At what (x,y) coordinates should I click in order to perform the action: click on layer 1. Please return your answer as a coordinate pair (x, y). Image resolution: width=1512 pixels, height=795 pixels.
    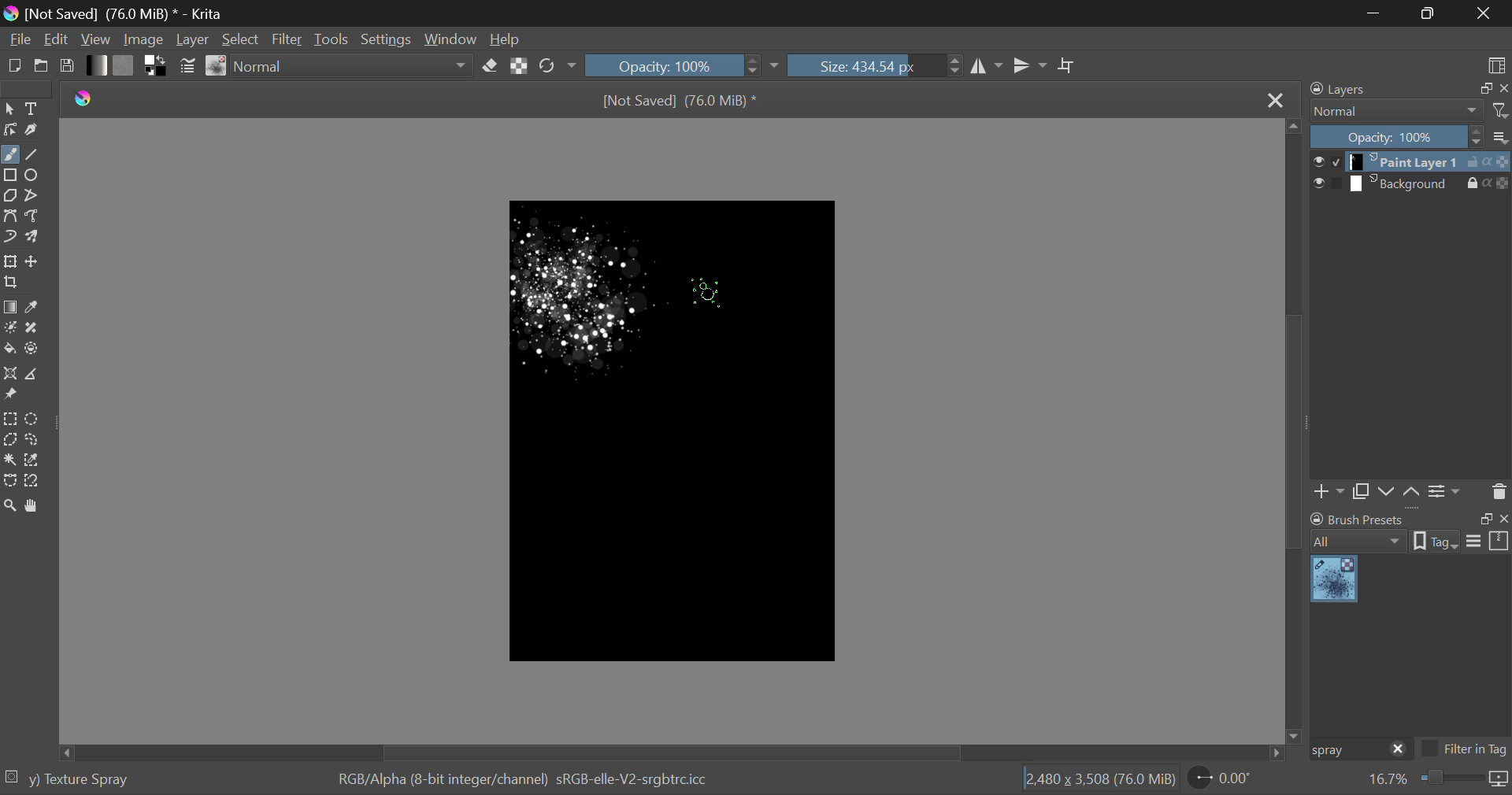
    Looking at the image, I should click on (1406, 163).